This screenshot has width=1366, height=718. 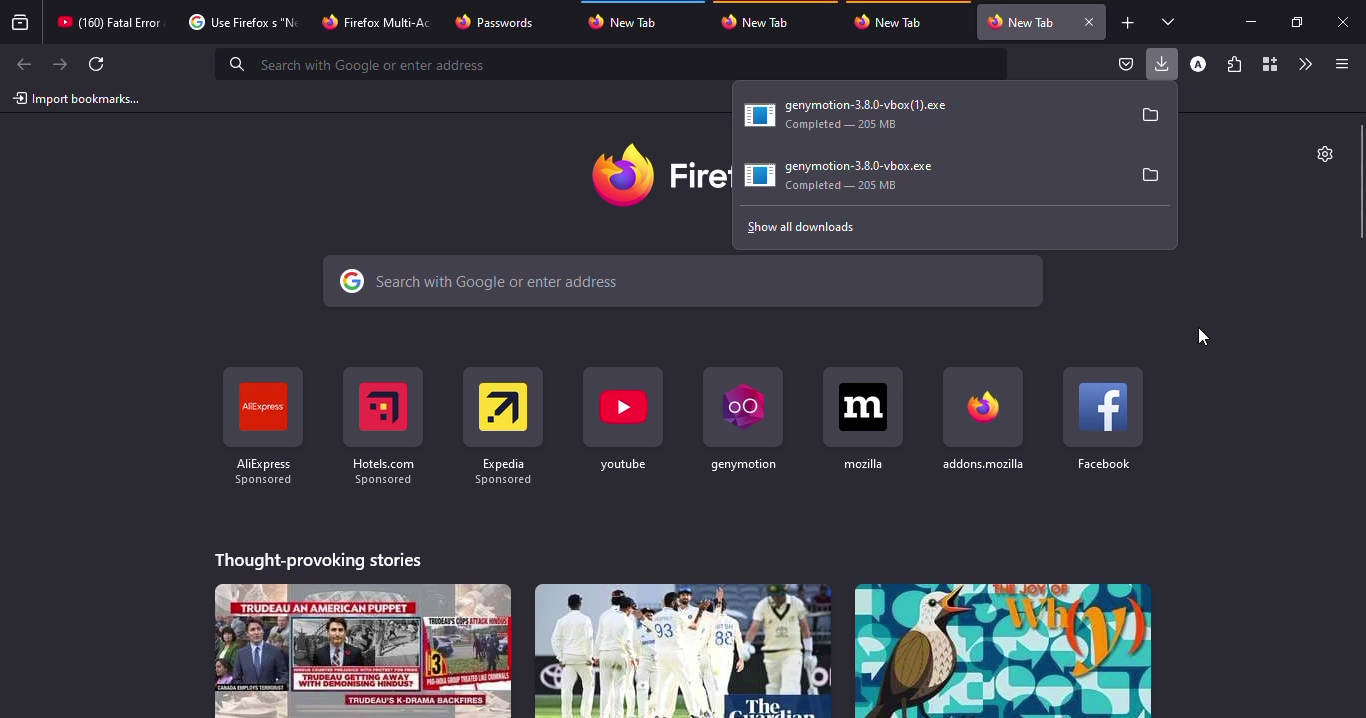 What do you see at coordinates (382, 425) in the screenshot?
I see `shortcut` at bounding box center [382, 425].